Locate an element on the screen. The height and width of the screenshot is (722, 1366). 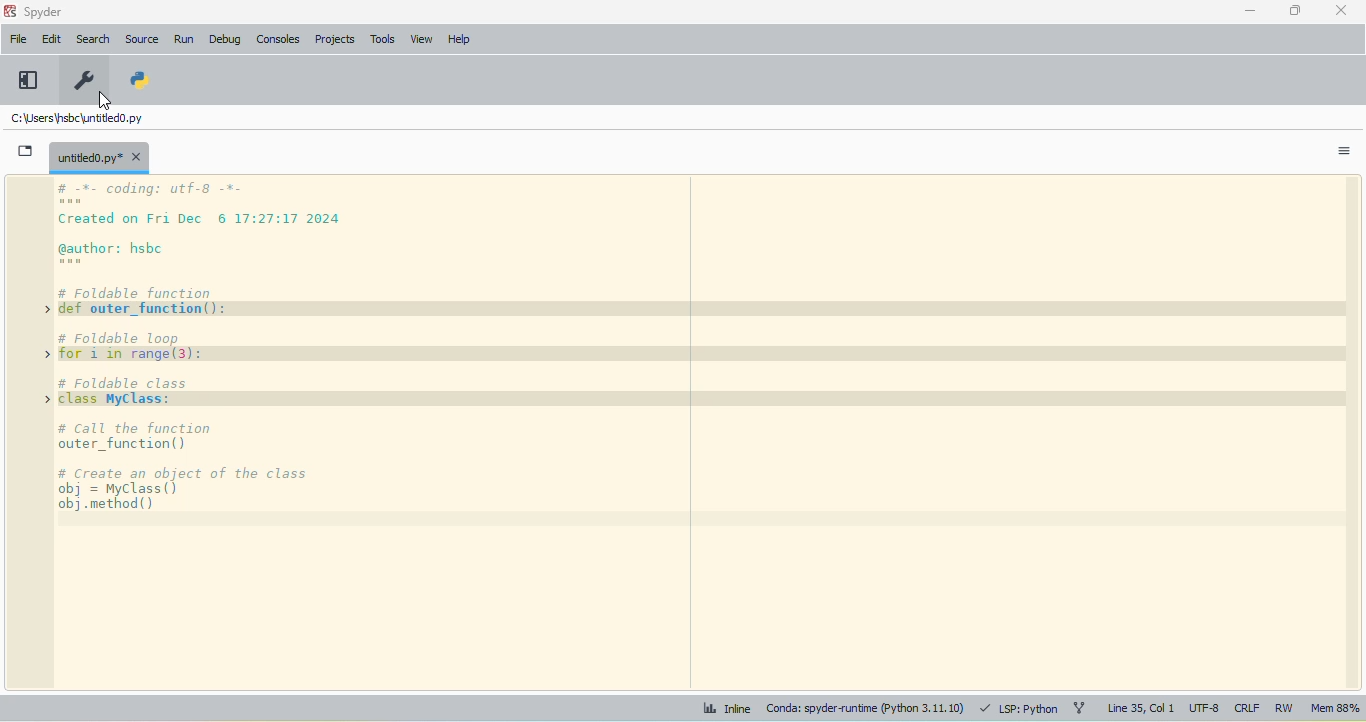
code folding is located at coordinates (44, 358).